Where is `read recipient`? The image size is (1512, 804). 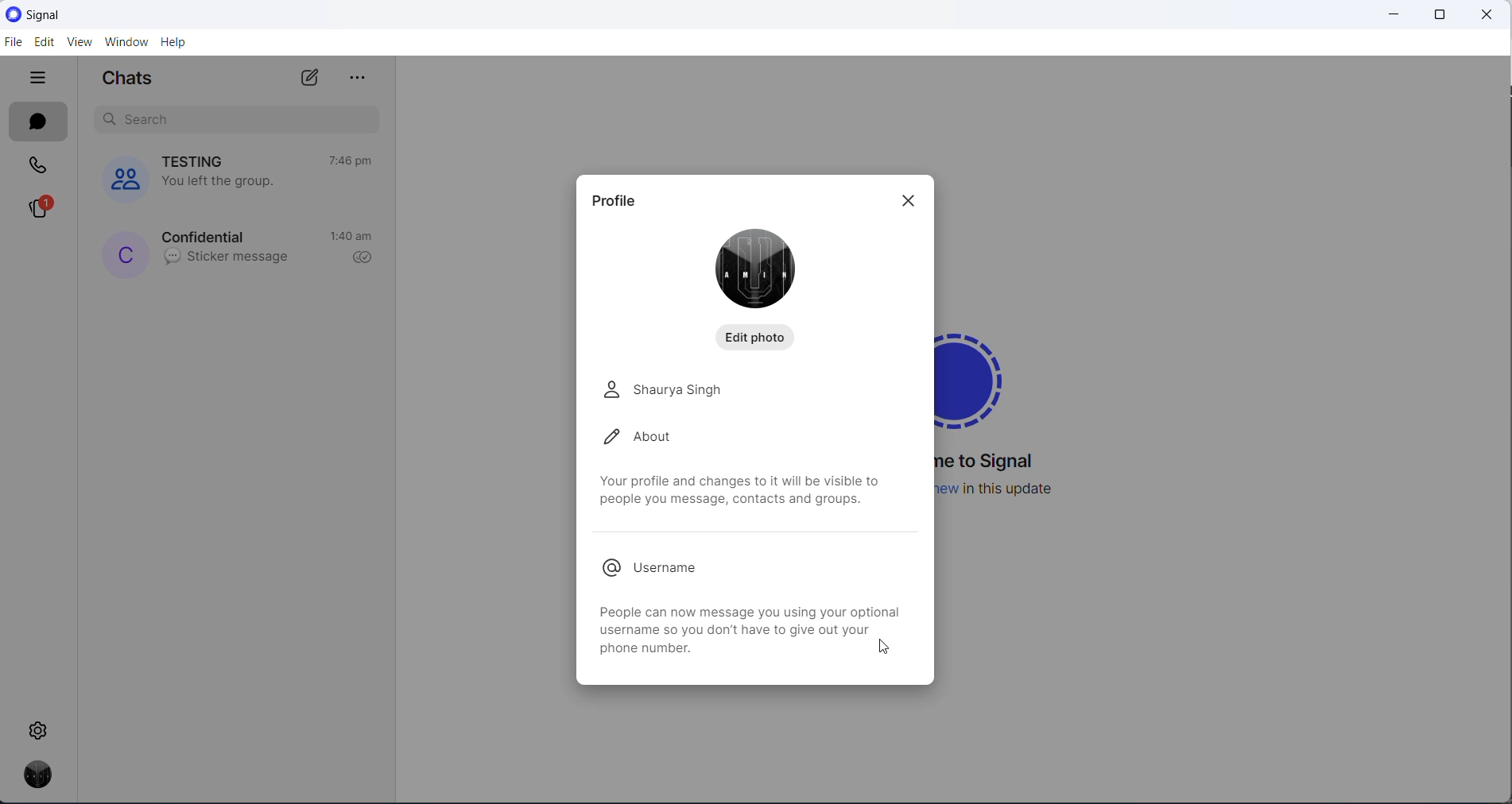 read recipient is located at coordinates (362, 259).